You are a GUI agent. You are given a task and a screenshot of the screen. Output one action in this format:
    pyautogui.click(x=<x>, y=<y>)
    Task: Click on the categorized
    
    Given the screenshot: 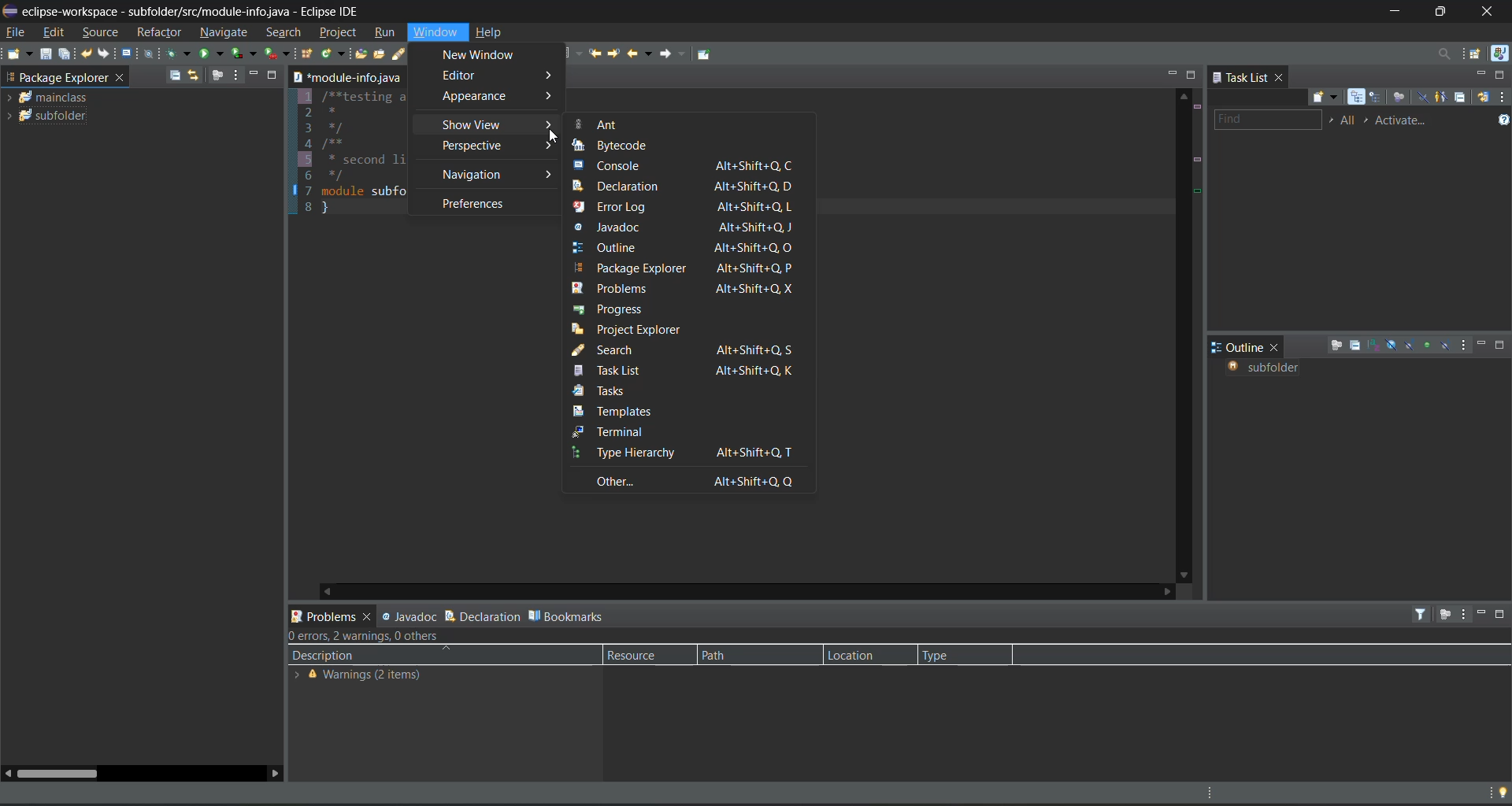 What is the action you would take?
    pyautogui.click(x=1358, y=98)
    